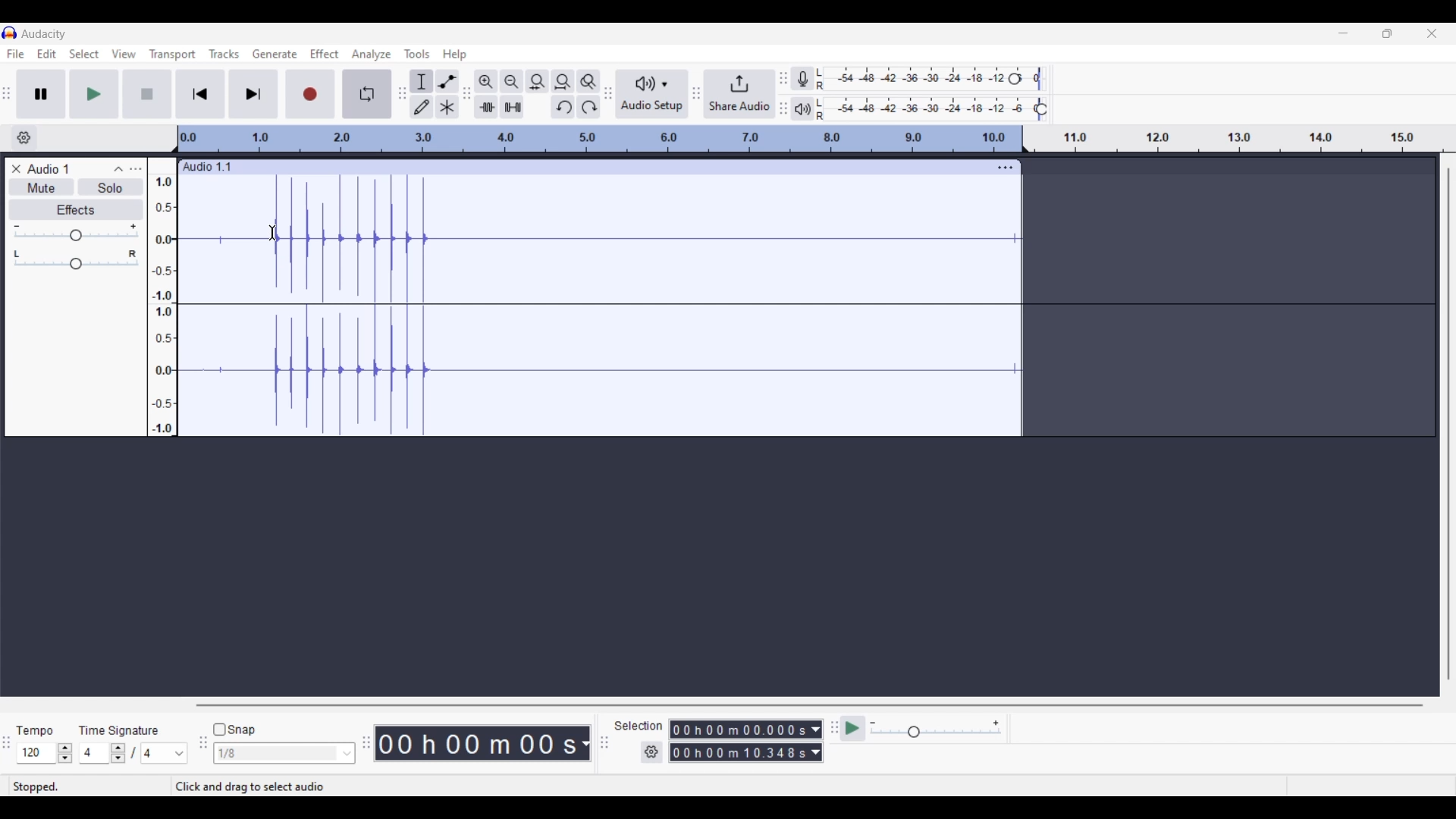  Describe the element at coordinates (24, 138) in the screenshot. I see `Timeline options` at that location.